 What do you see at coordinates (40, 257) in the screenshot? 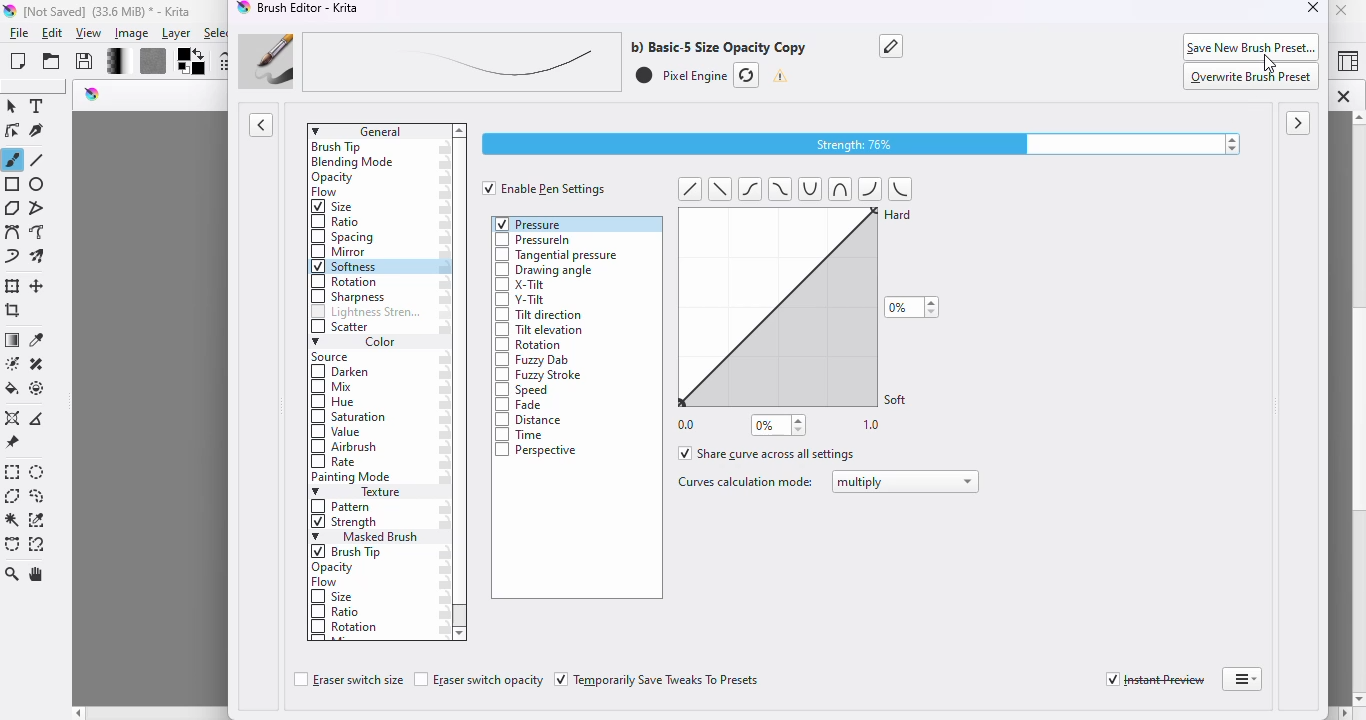
I see `multibrush tool` at bounding box center [40, 257].